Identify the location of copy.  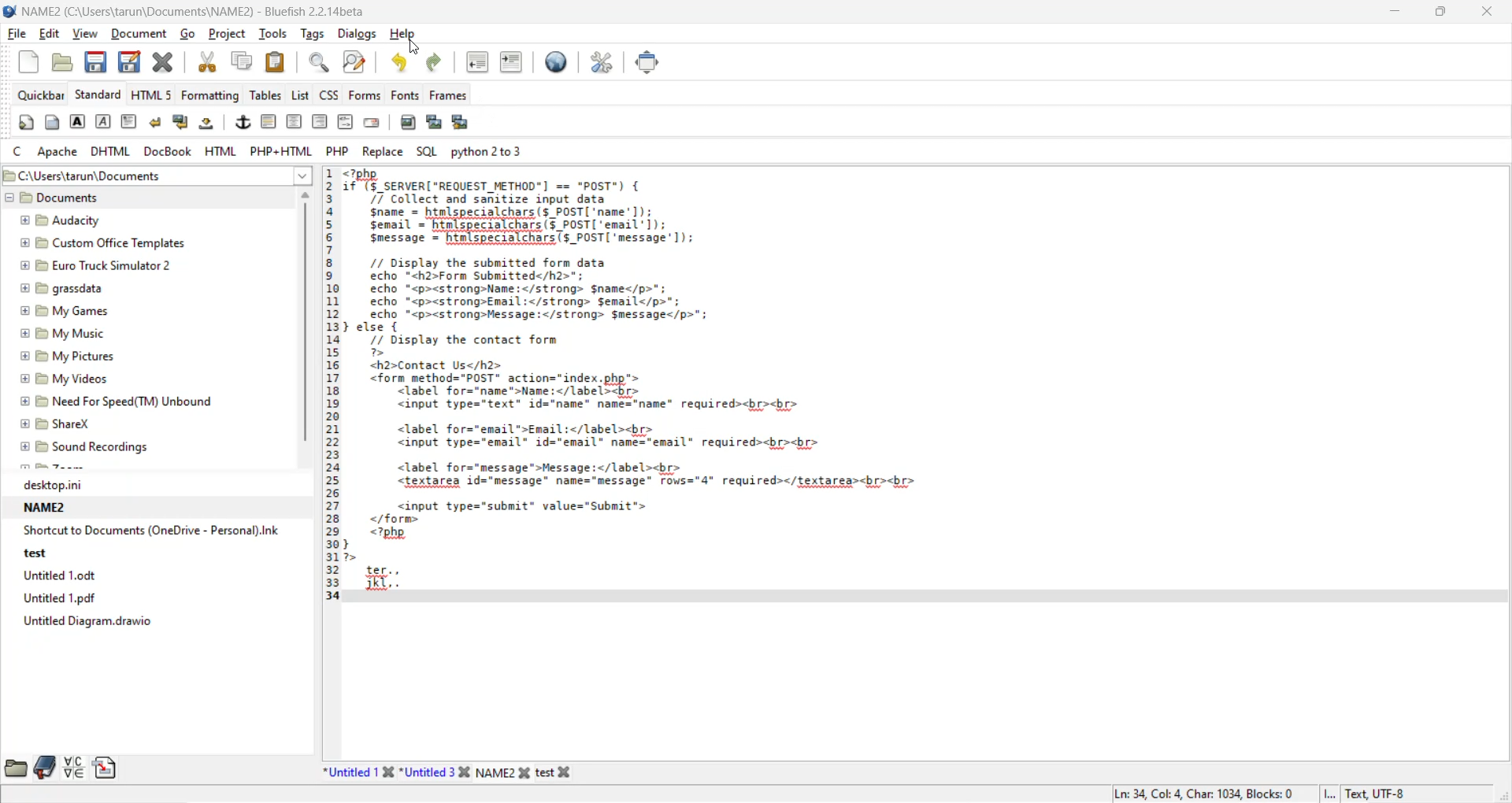
(241, 62).